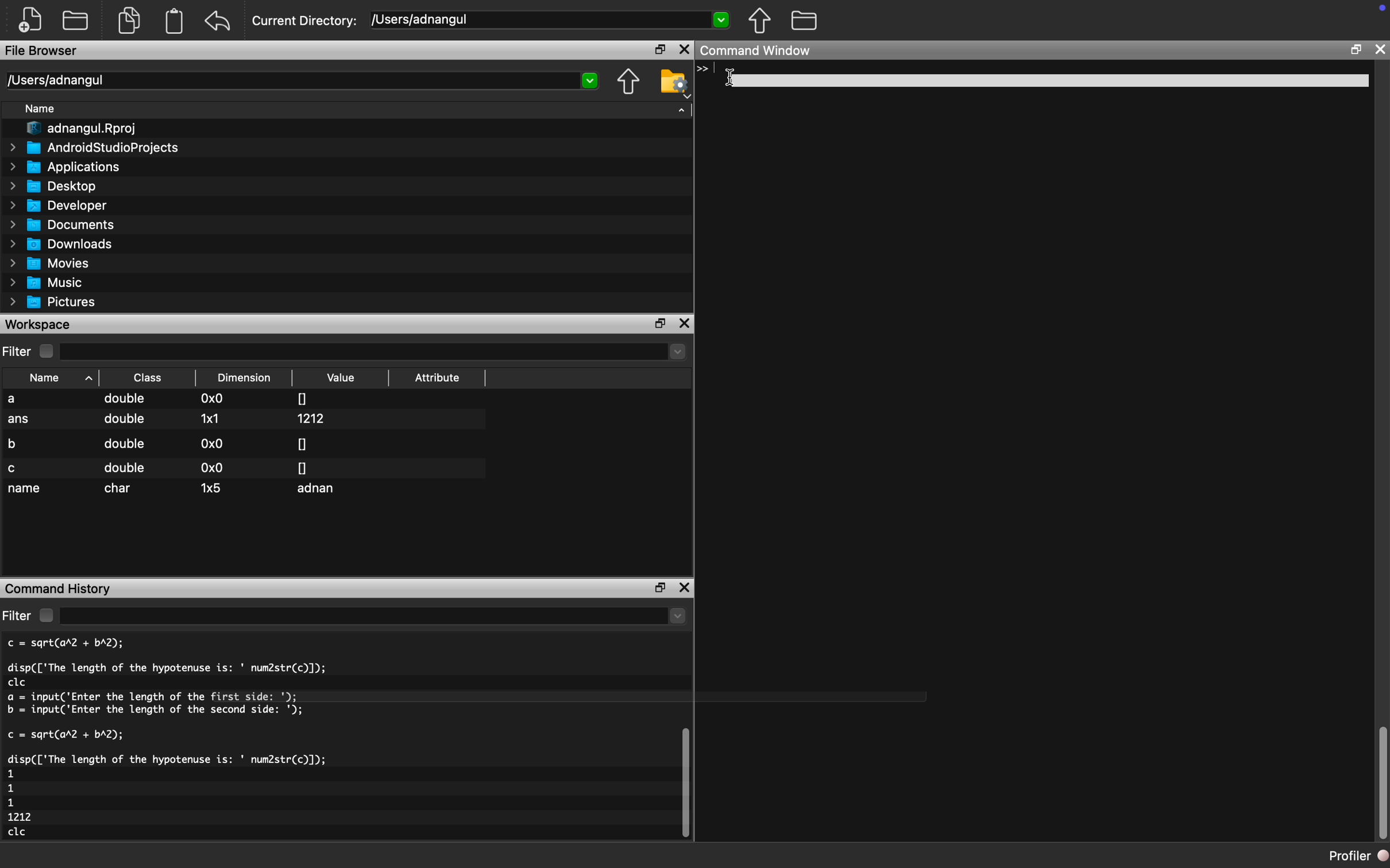 The width and height of the screenshot is (1390, 868). Describe the element at coordinates (686, 590) in the screenshot. I see `close` at that location.